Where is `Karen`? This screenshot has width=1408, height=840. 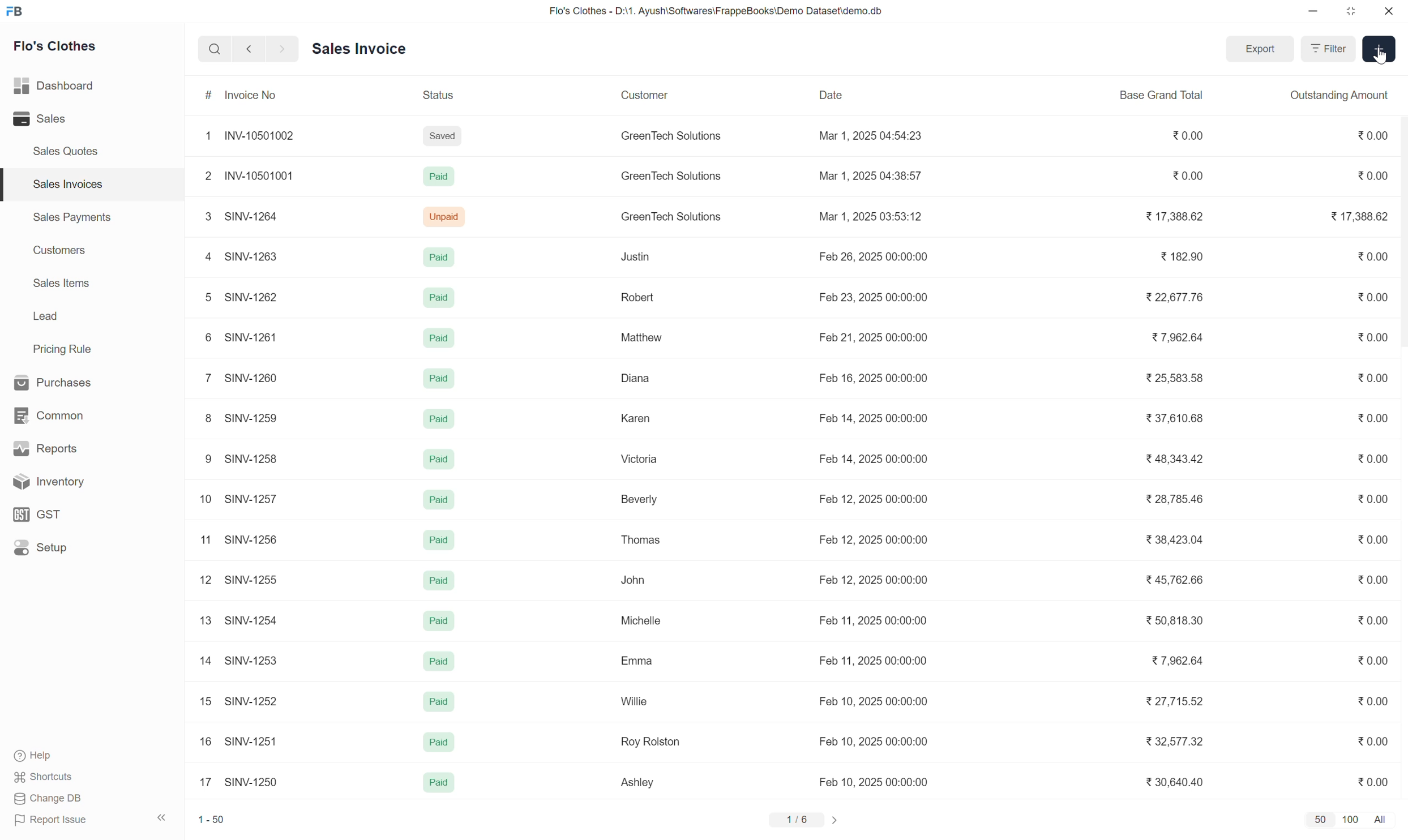
Karen is located at coordinates (637, 419).